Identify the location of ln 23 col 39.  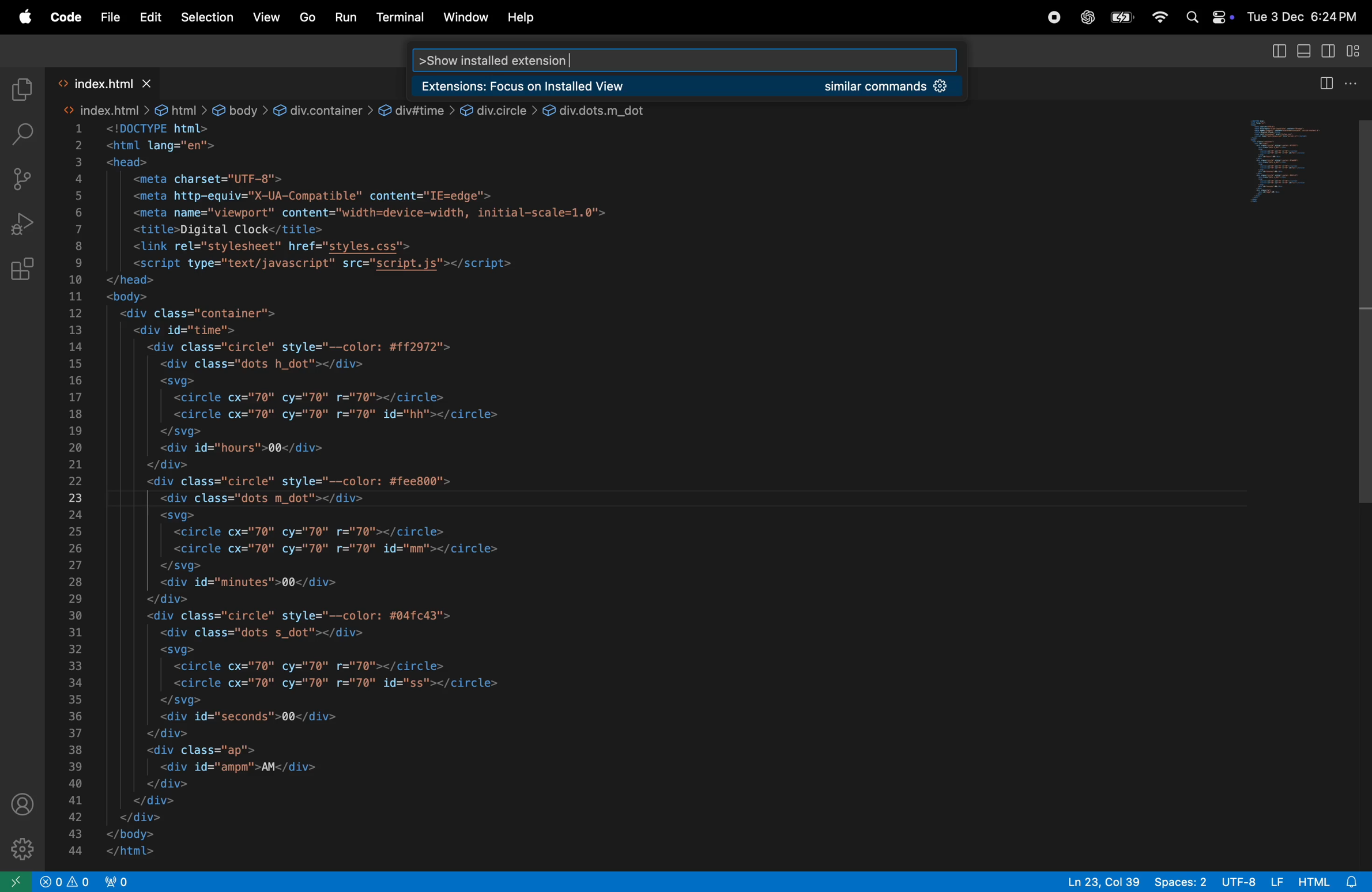
(1102, 880).